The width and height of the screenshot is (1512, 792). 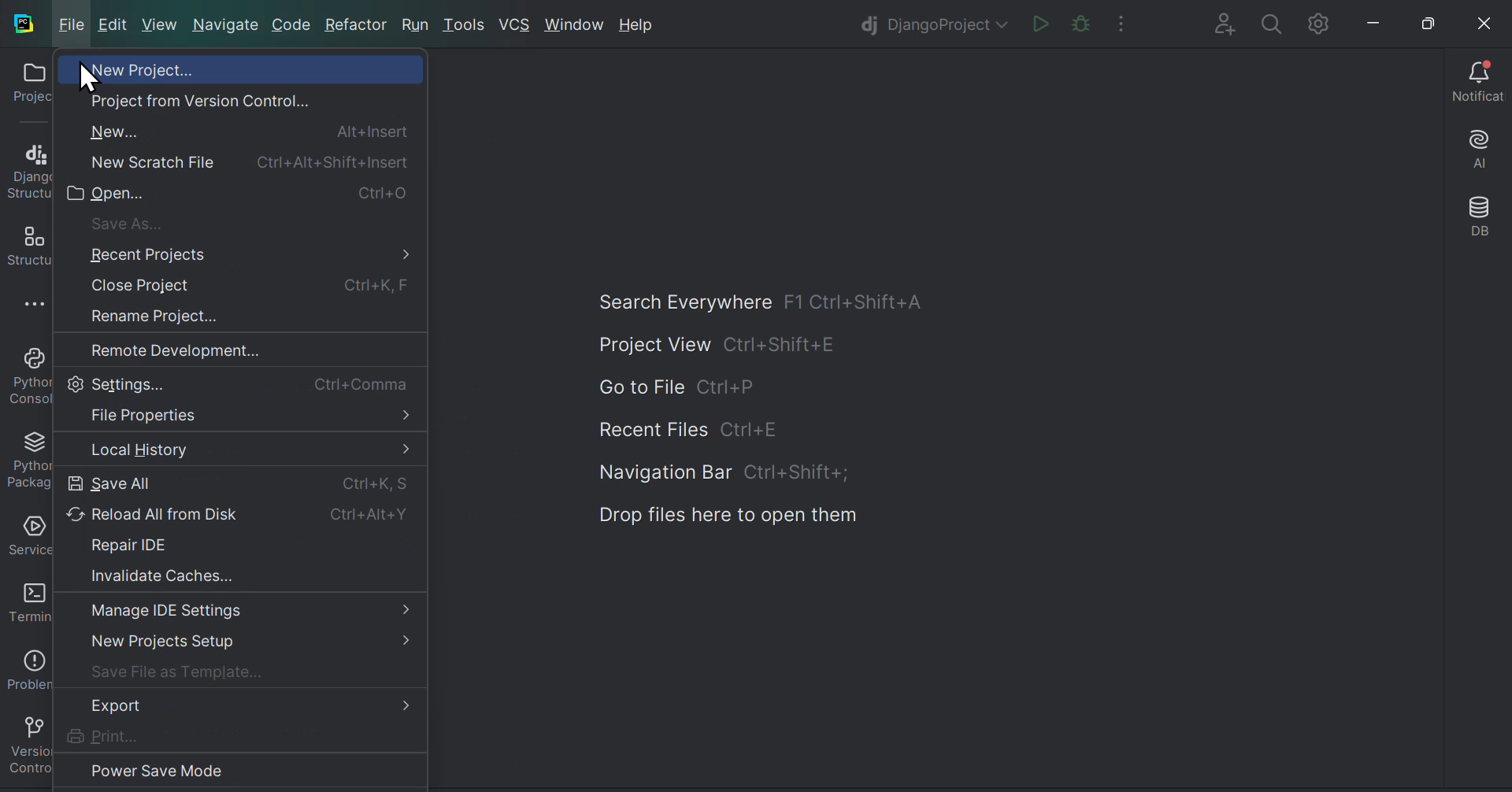 What do you see at coordinates (247, 610) in the screenshot?
I see `Manage IDE settings` at bounding box center [247, 610].